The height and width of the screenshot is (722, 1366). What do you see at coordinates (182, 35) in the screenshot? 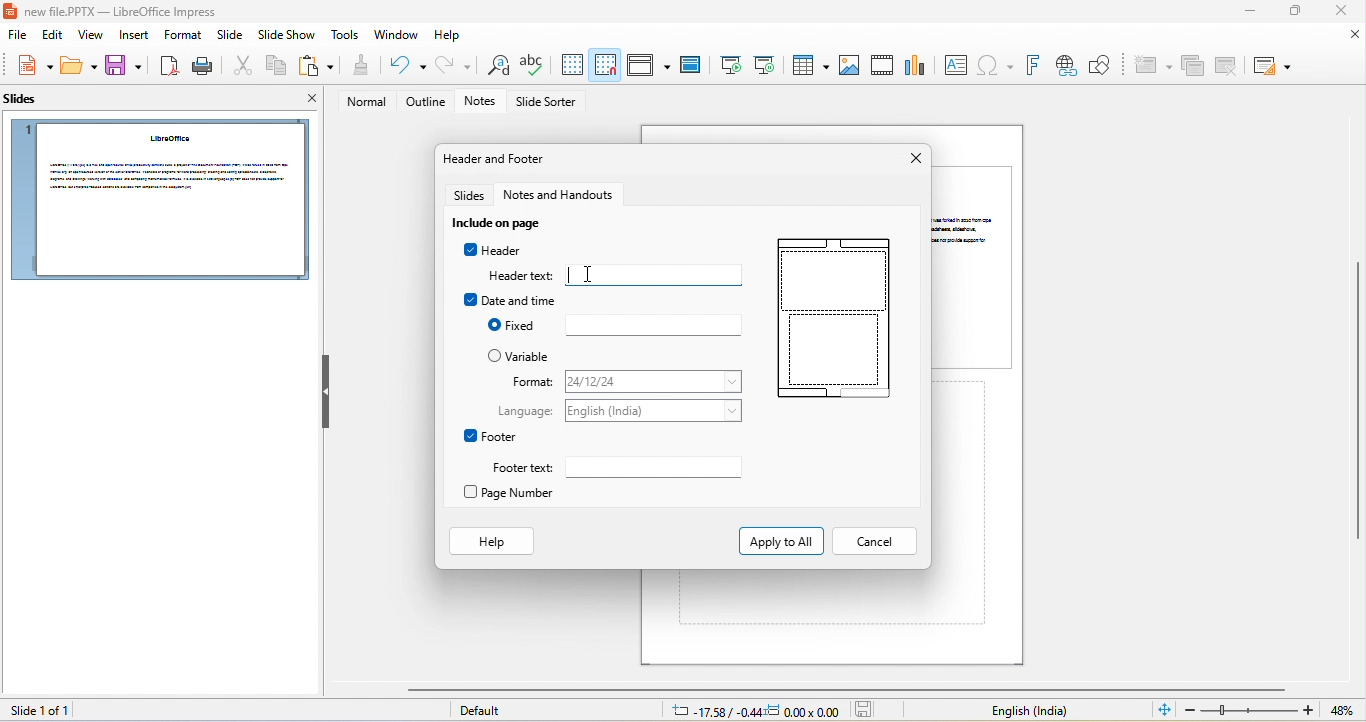
I see `format` at bounding box center [182, 35].